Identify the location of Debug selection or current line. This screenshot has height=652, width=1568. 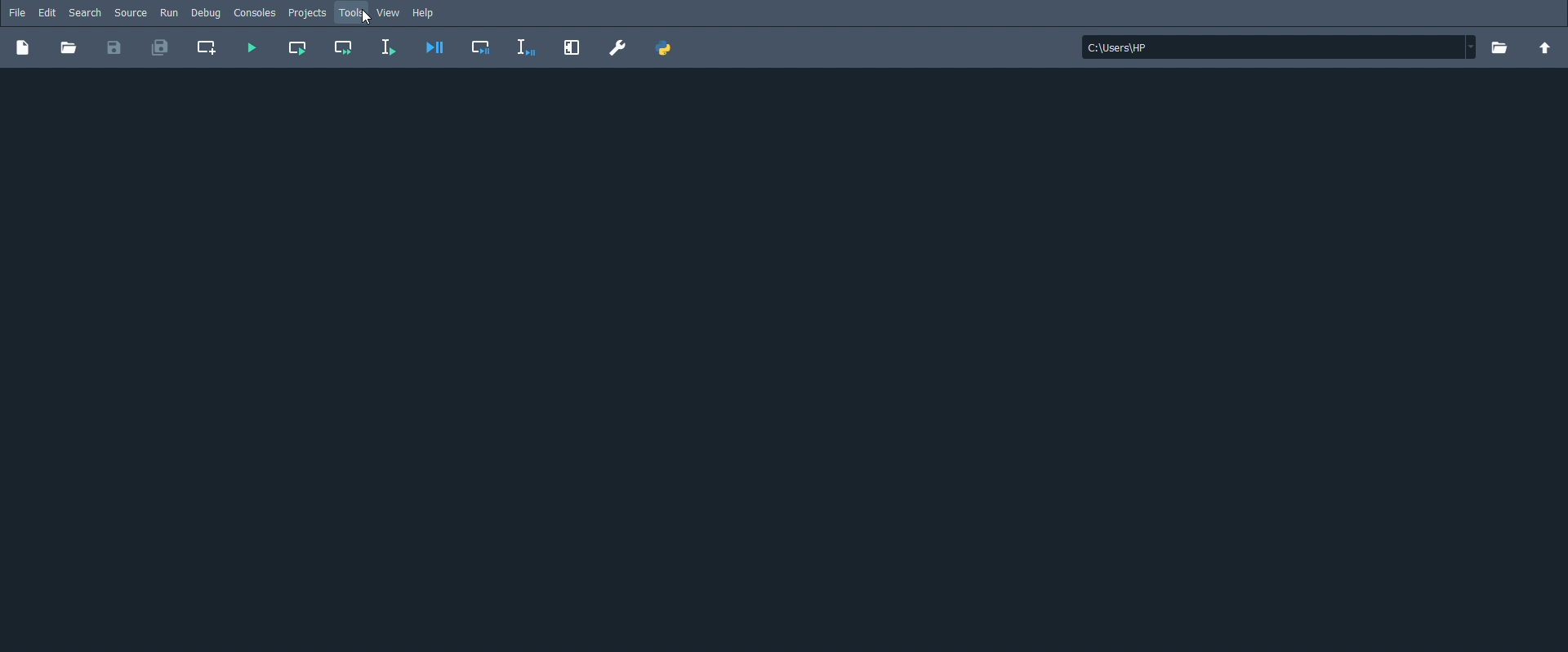
(525, 48).